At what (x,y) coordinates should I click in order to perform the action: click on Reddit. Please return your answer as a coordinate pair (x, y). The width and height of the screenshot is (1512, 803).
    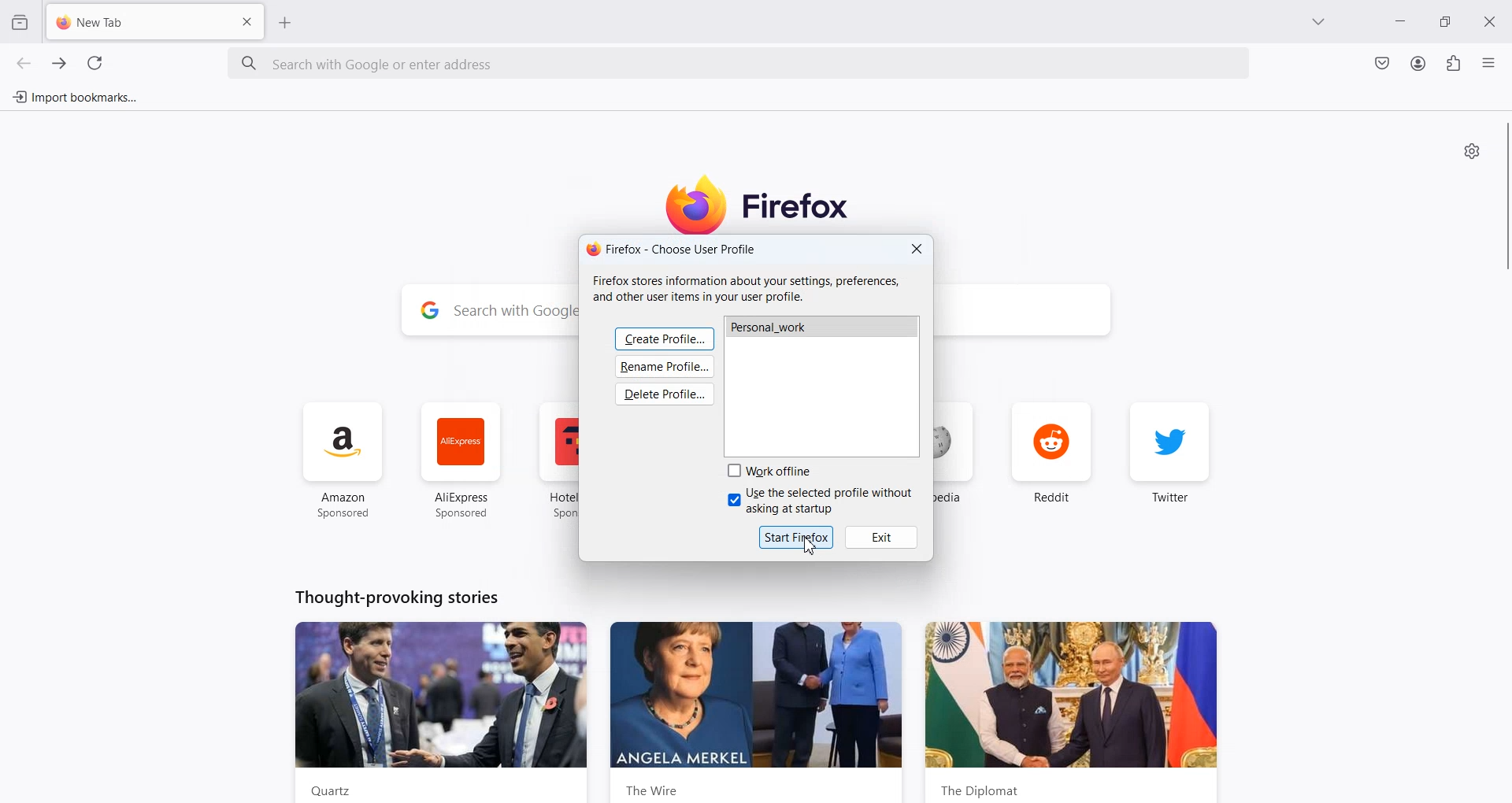
    Looking at the image, I should click on (1051, 457).